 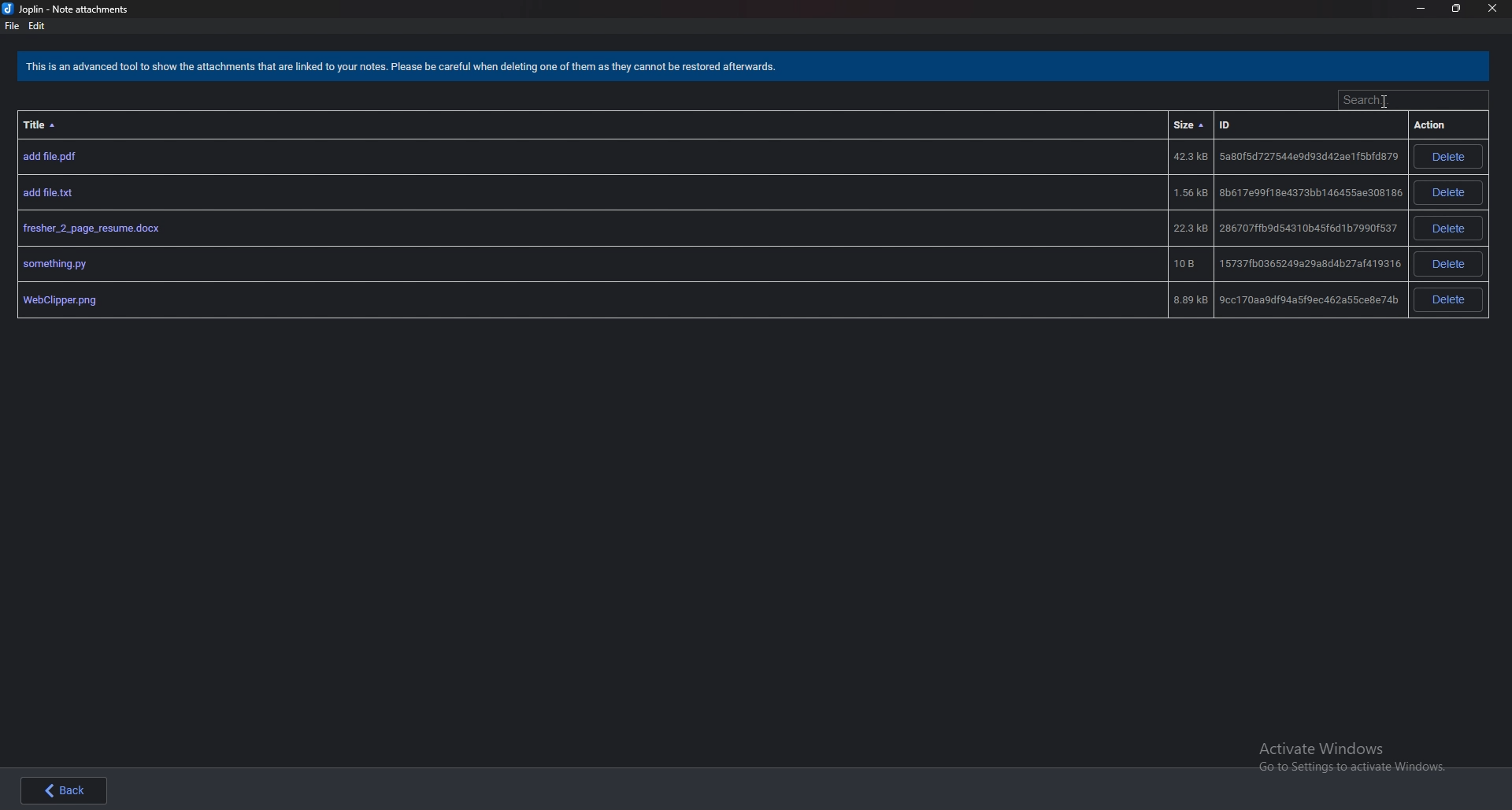 I want to click on Warning, so click(x=406, y=69).